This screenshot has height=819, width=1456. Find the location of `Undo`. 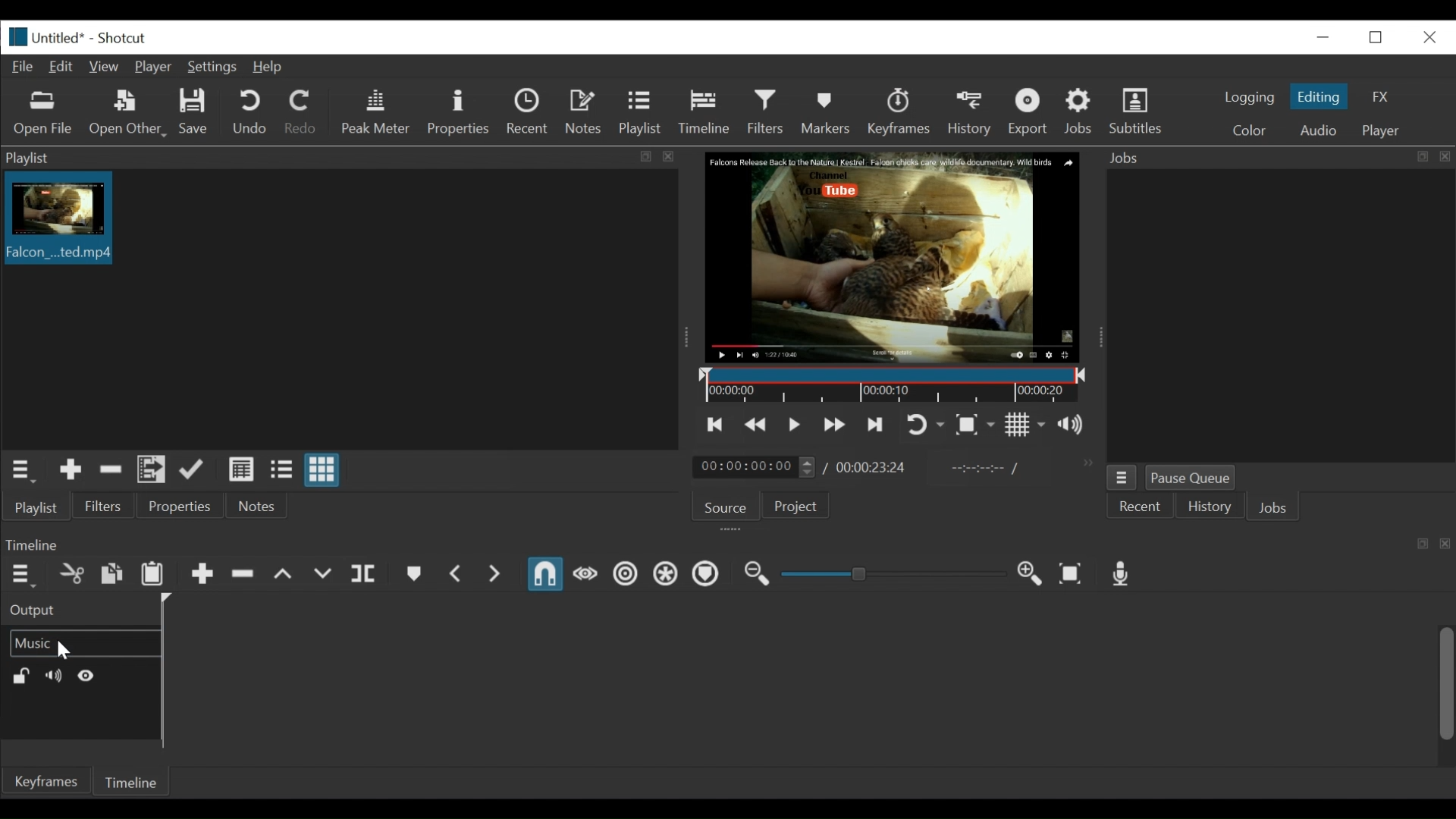

Undo is located at coordinates (249, 113).